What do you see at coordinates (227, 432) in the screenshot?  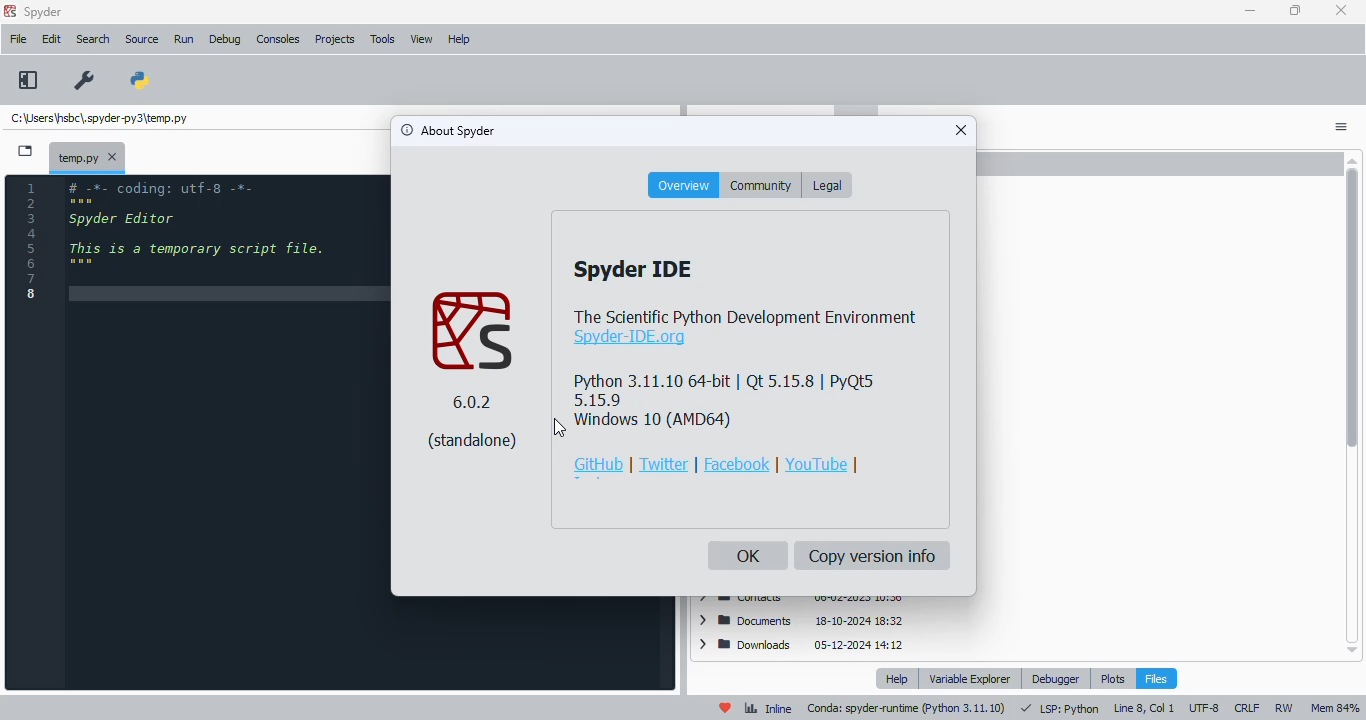 I see `editor` at bounding box center [227, 432].